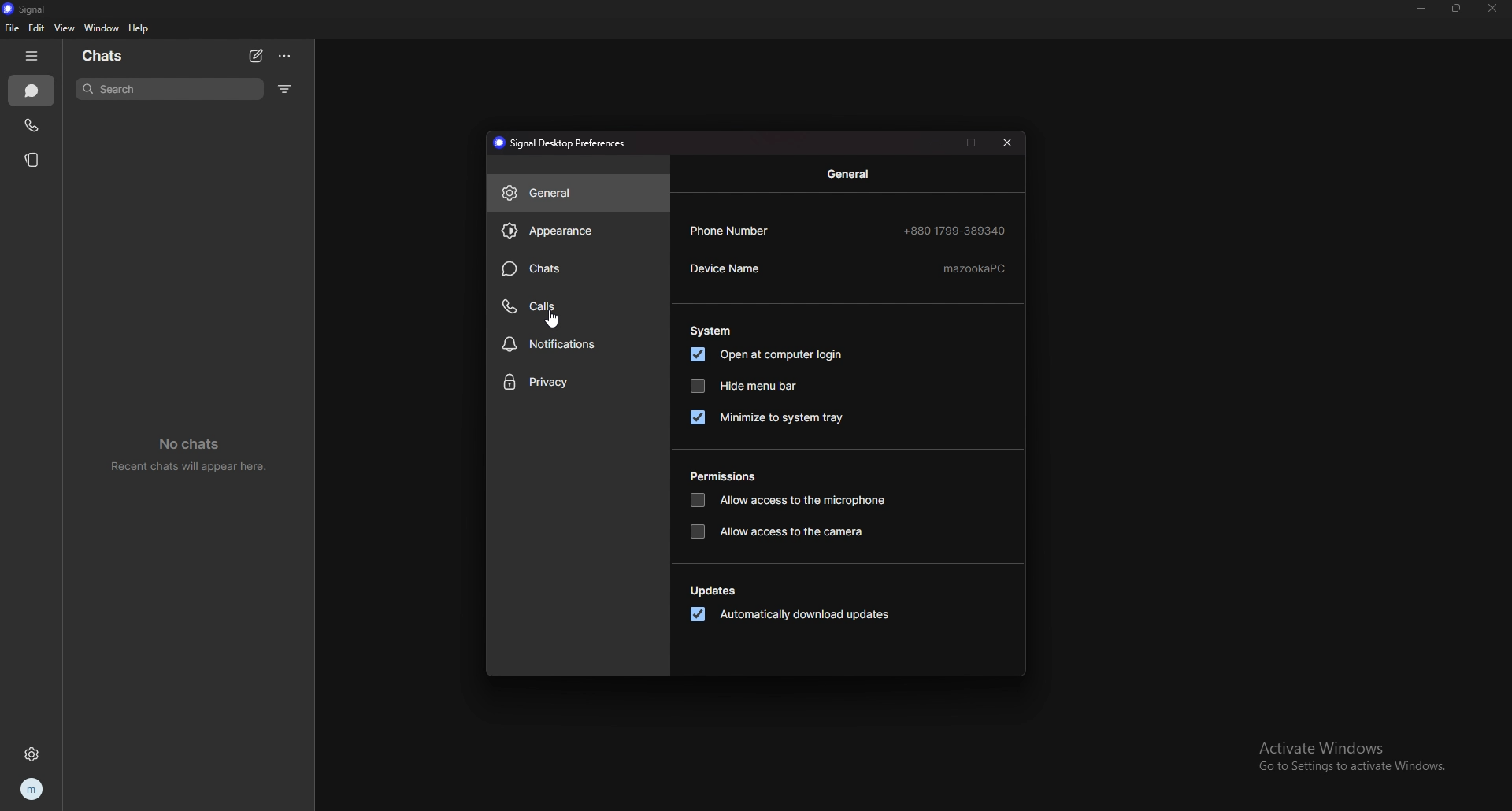 The image size is (1512, 811). What do you see at coordinates (32, 159) in the screenshot?
I see `stories` at bounding box center [32, 159].